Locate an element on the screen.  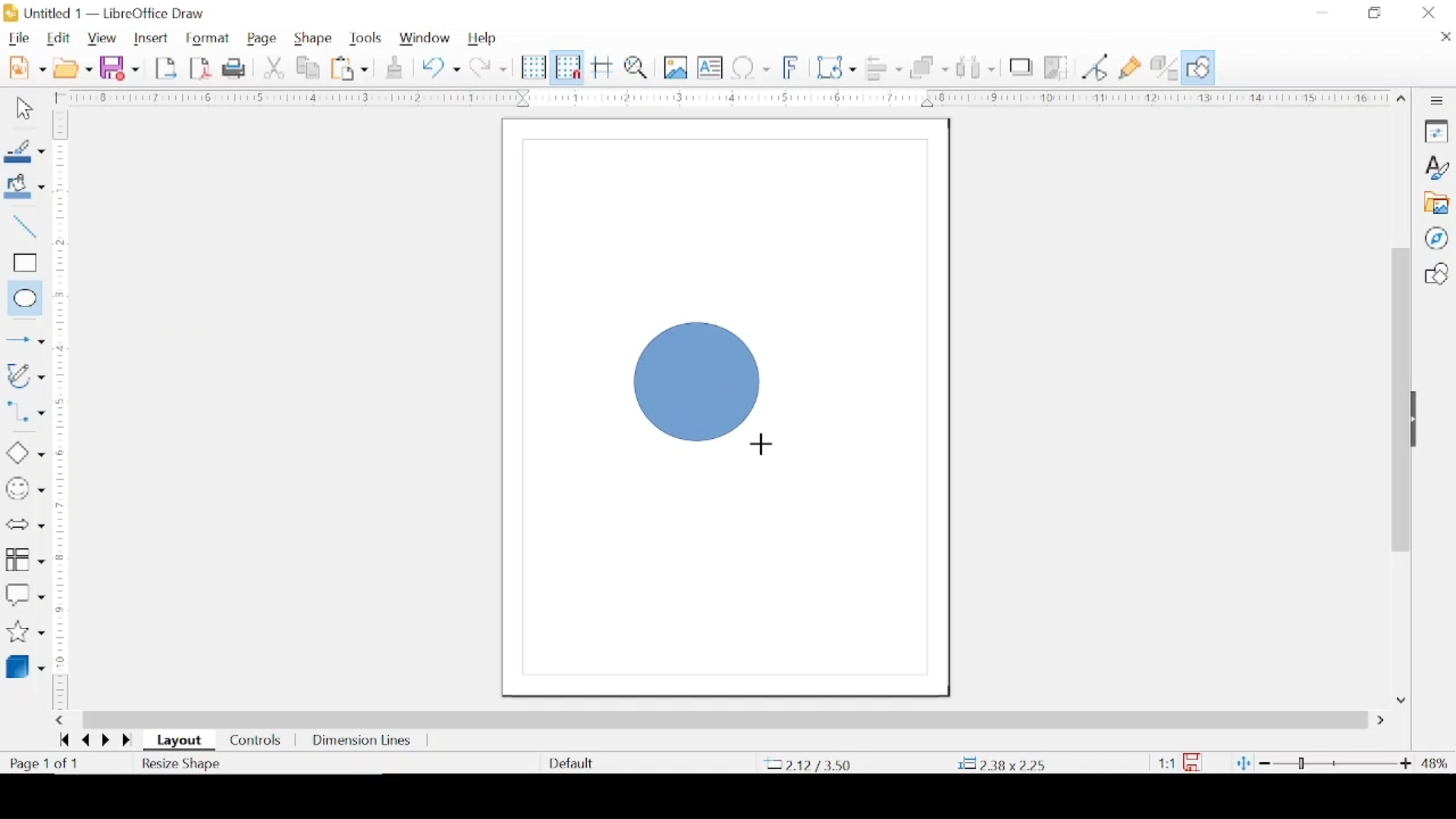
go forwards is located at coordinates (125, 741).